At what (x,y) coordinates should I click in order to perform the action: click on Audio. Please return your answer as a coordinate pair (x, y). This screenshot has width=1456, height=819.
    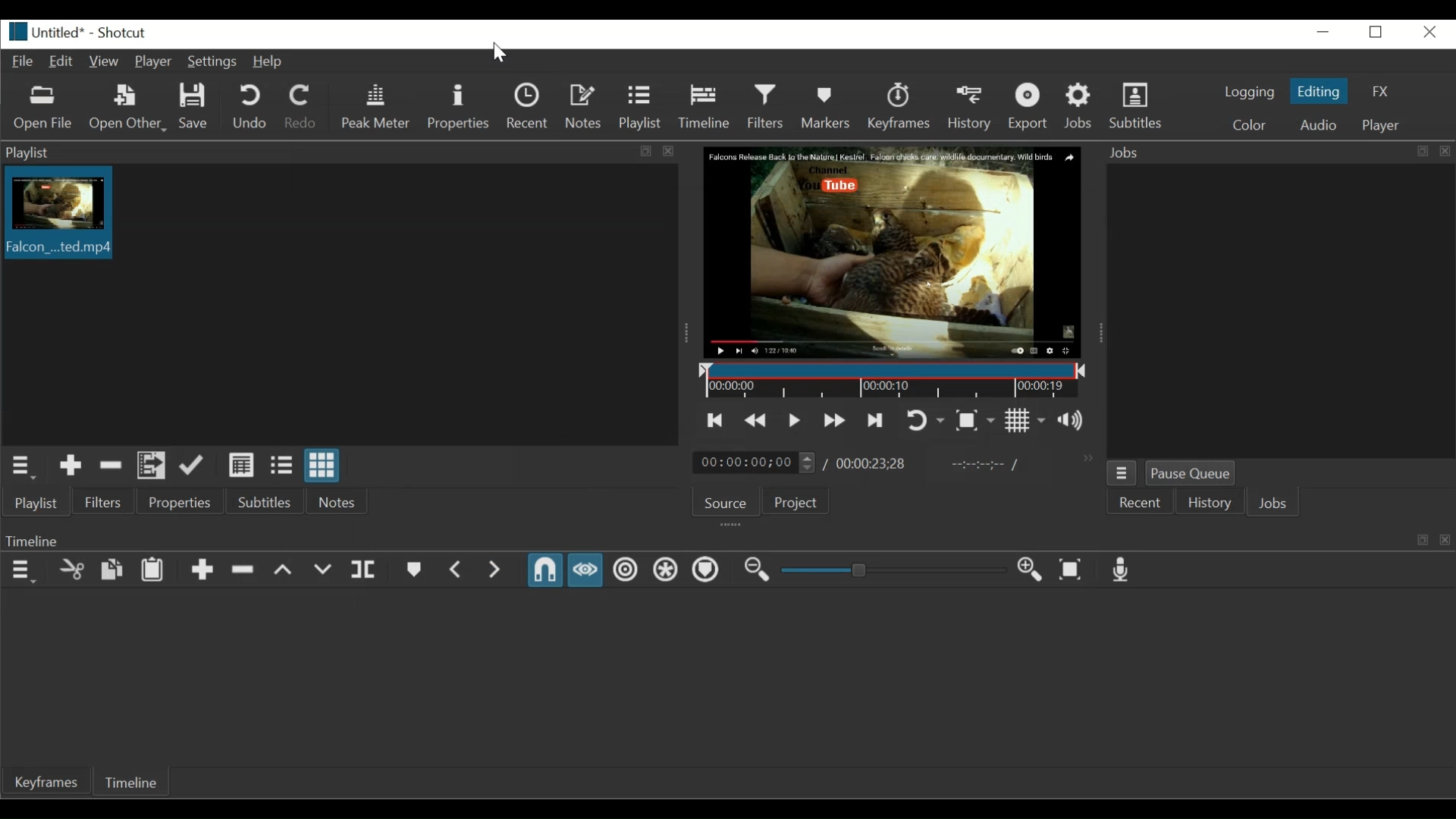
    Looking at the image, I should click on (1316, 126).